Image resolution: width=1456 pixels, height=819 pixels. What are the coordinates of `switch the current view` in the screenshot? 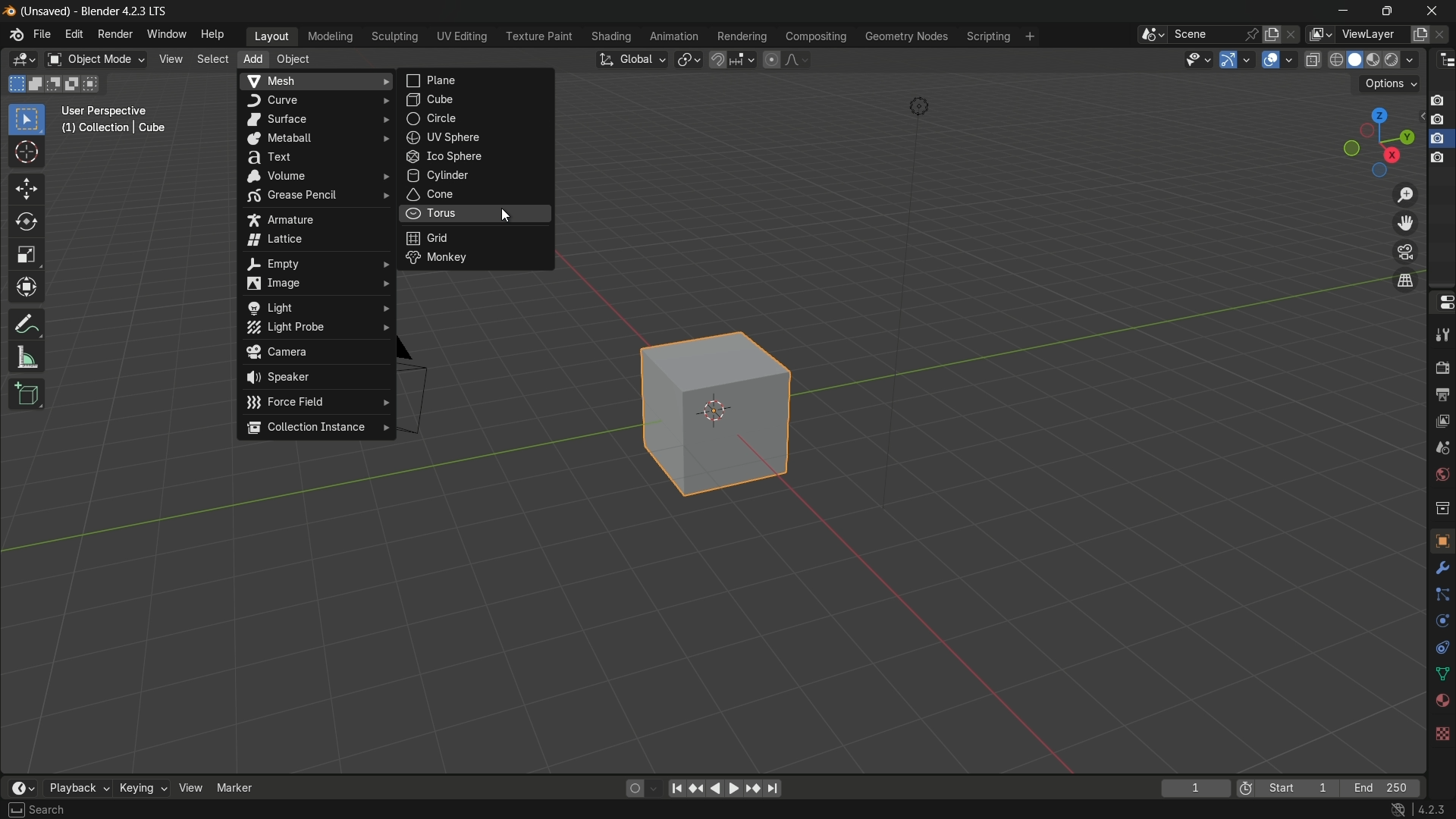 It's located at (1404, 280).